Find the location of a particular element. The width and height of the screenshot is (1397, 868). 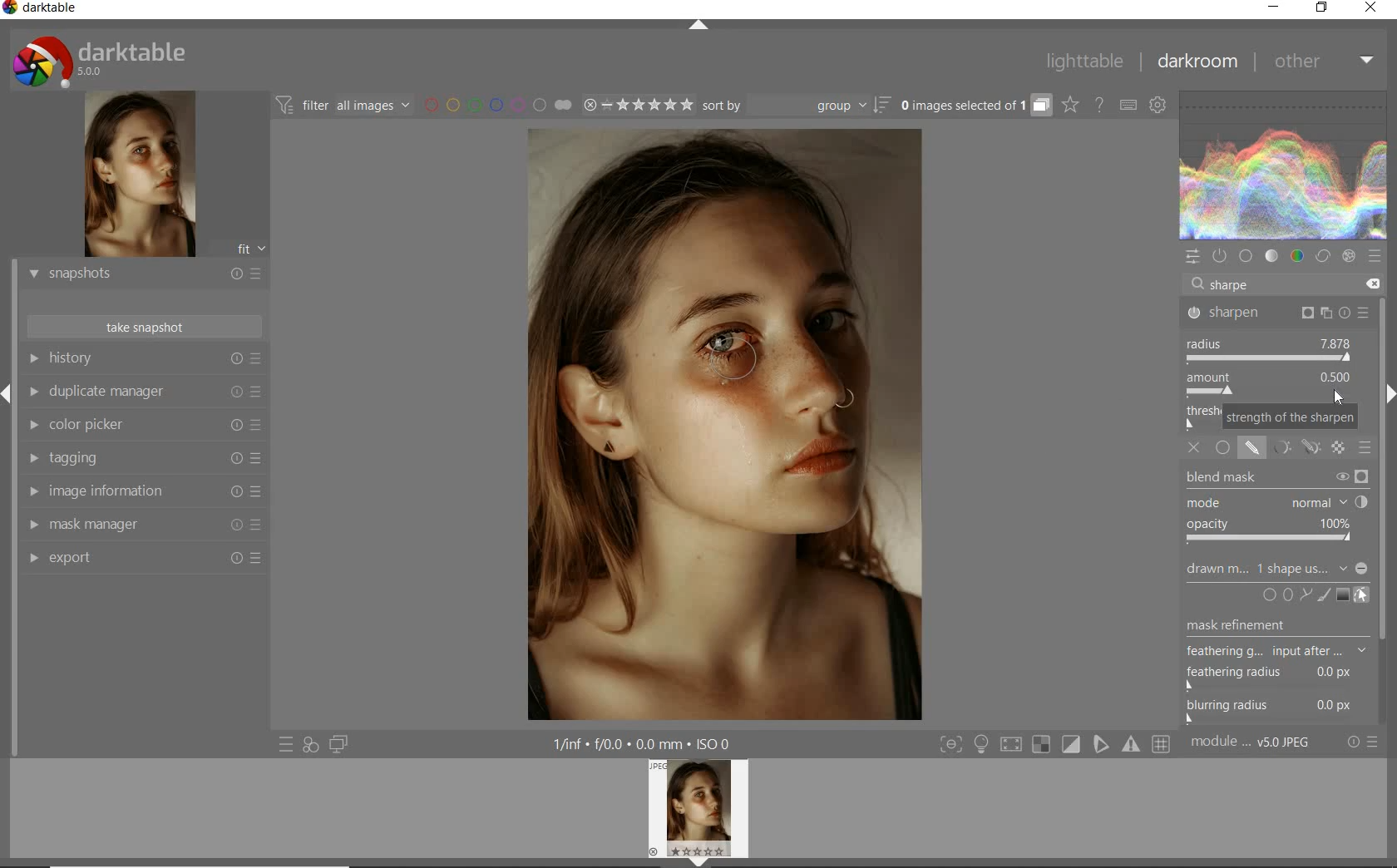

range rating of selected images is located at coordinates (637, 106).